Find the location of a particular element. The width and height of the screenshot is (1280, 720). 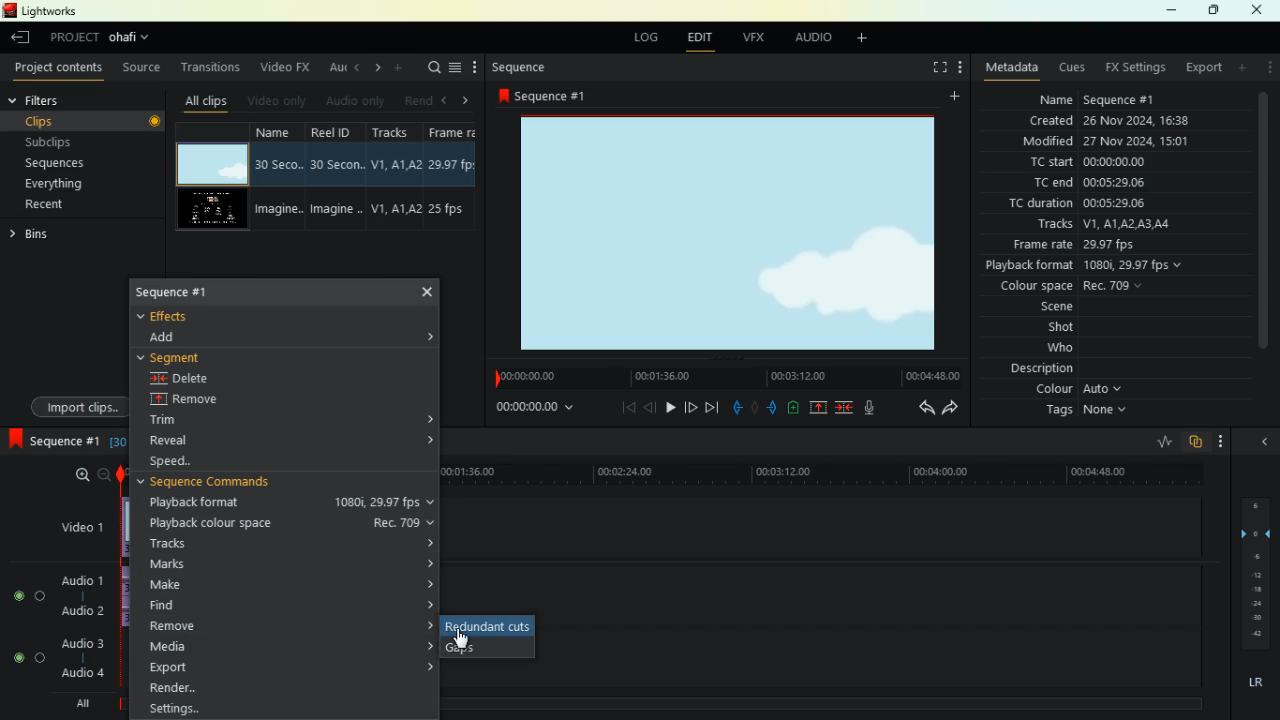

Tracks is located at coordinates (397, 177).